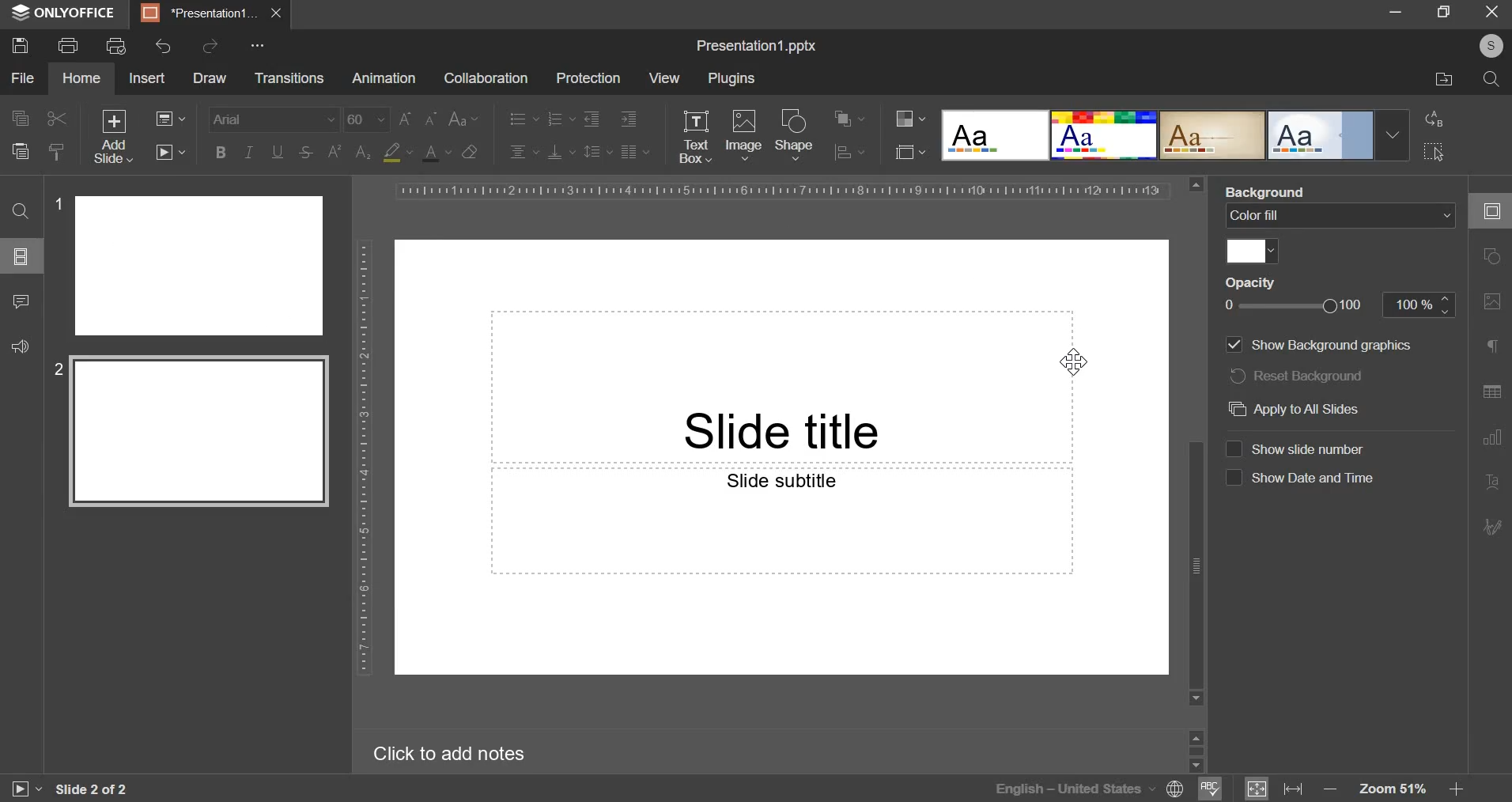 The image size is (1512, 802). I want to click on paste, so click(19, 149).